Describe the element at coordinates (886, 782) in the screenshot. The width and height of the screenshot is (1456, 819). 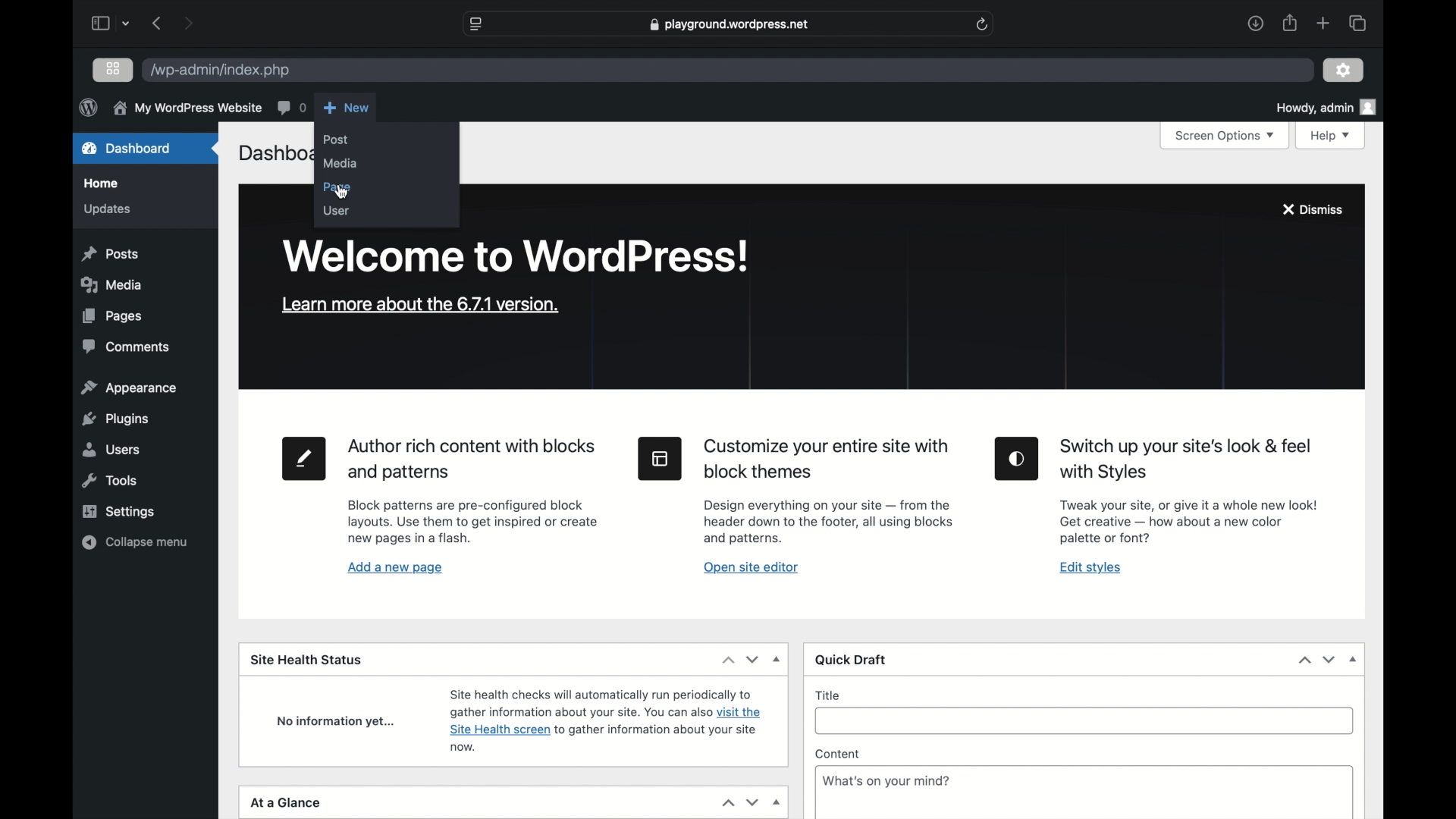
I see `what's on your mind?` at that location.